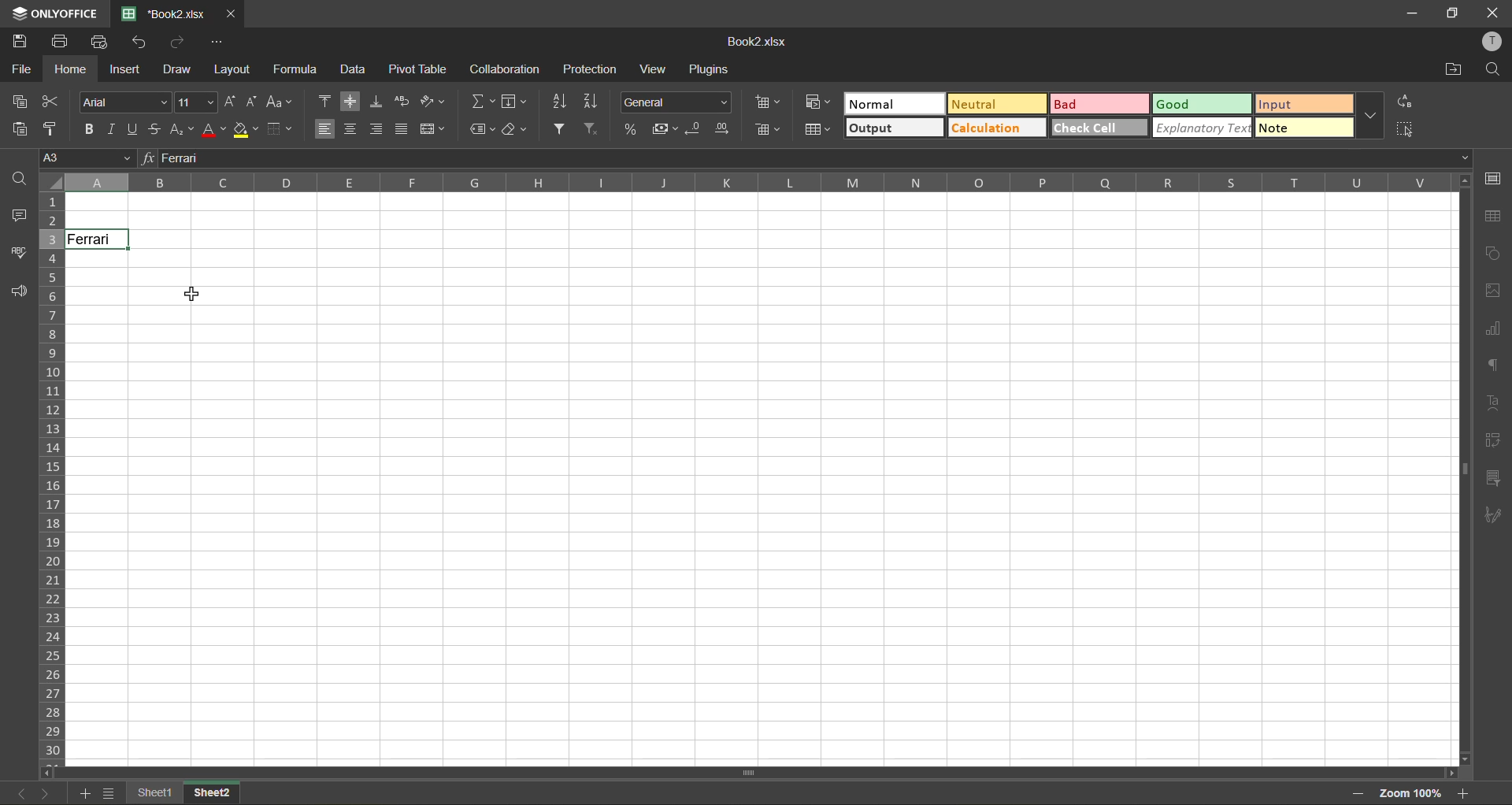 The width and height of the screenshot is (1512, 805). What do you see at coordinates (996, 103) in the screenshot?
I see `neutral` at bounding box center [996, 103].